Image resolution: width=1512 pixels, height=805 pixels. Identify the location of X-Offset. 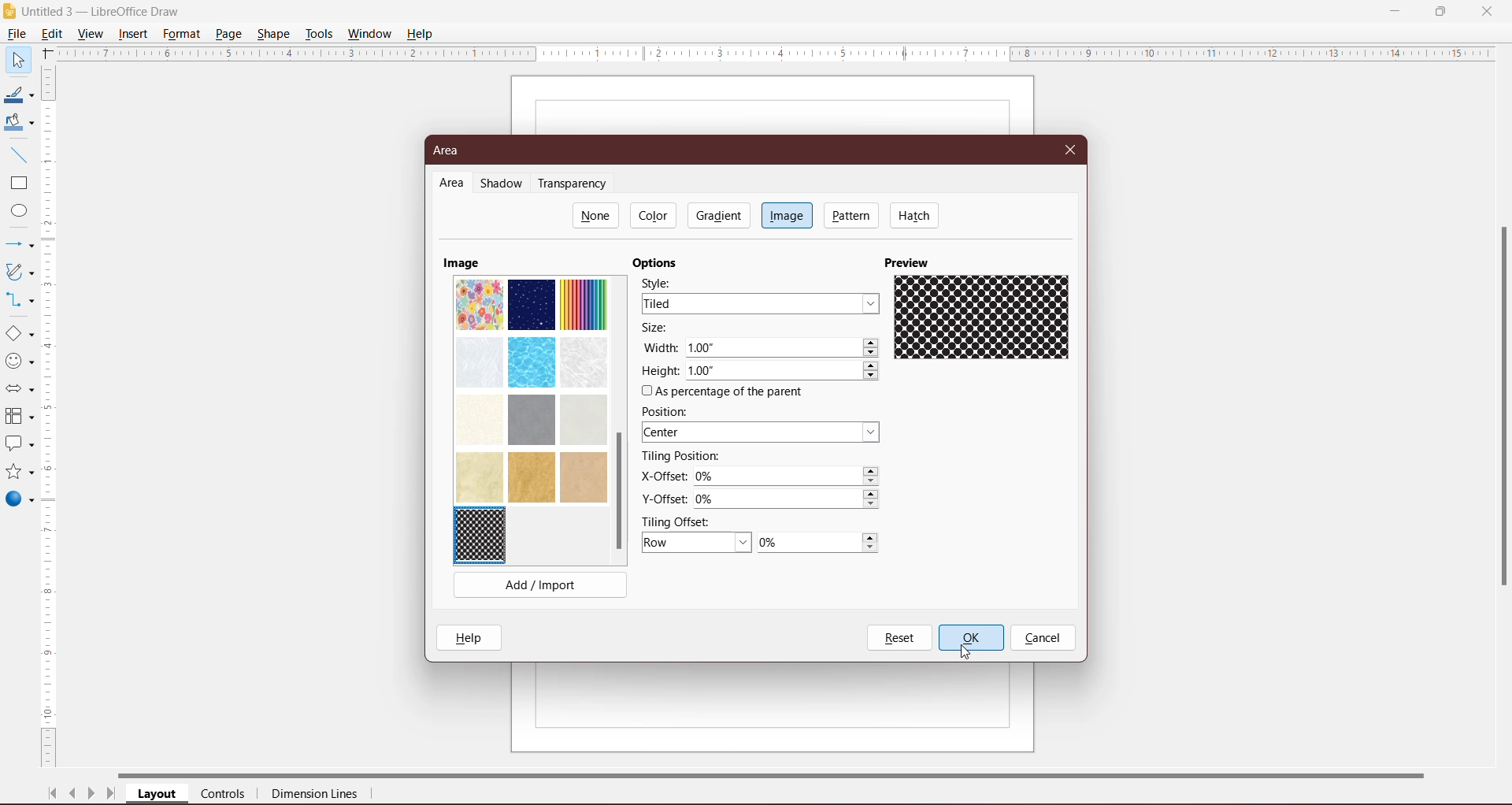
(661, 476).